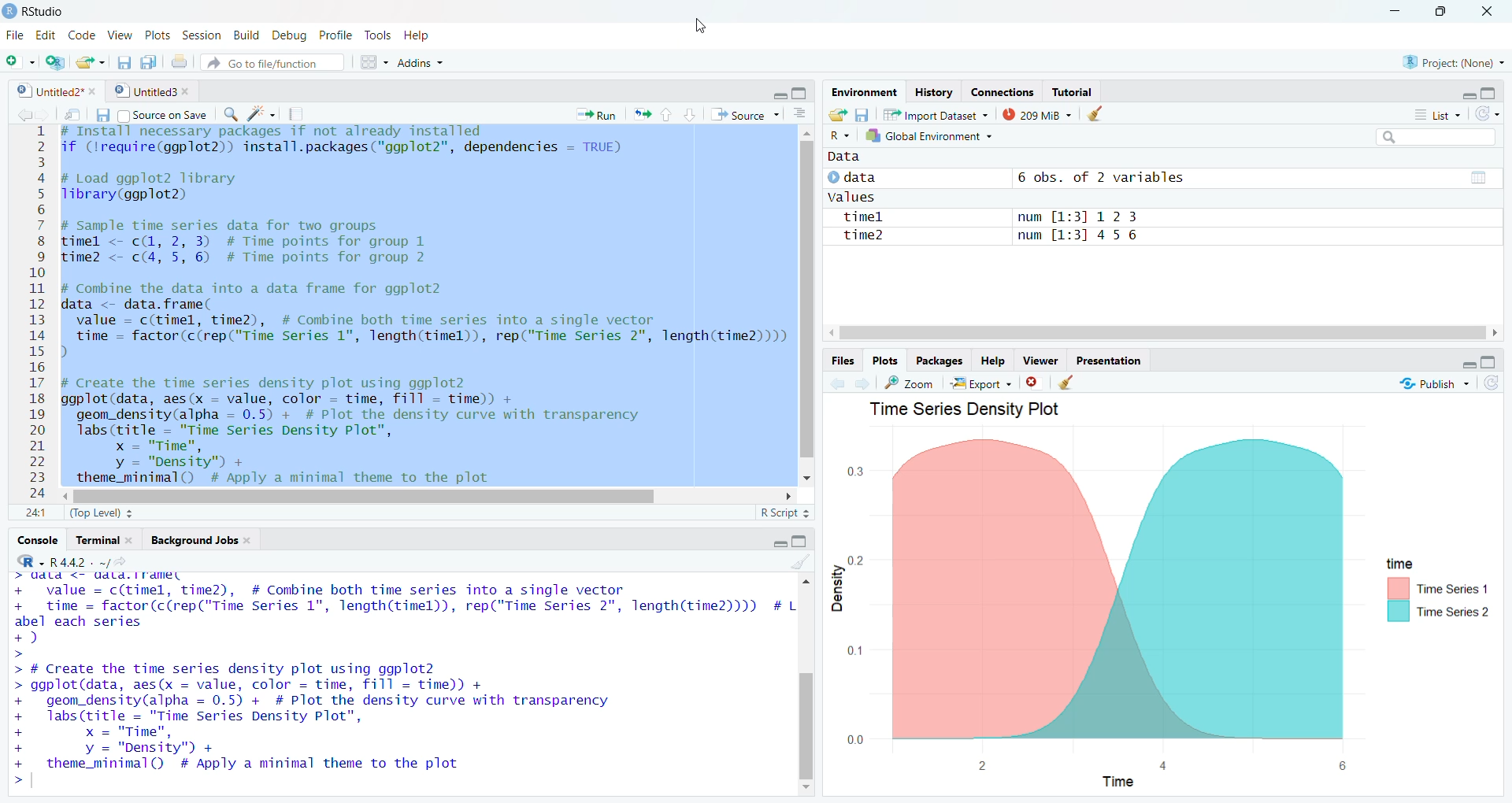  I want to click on R, so click(840, 136).